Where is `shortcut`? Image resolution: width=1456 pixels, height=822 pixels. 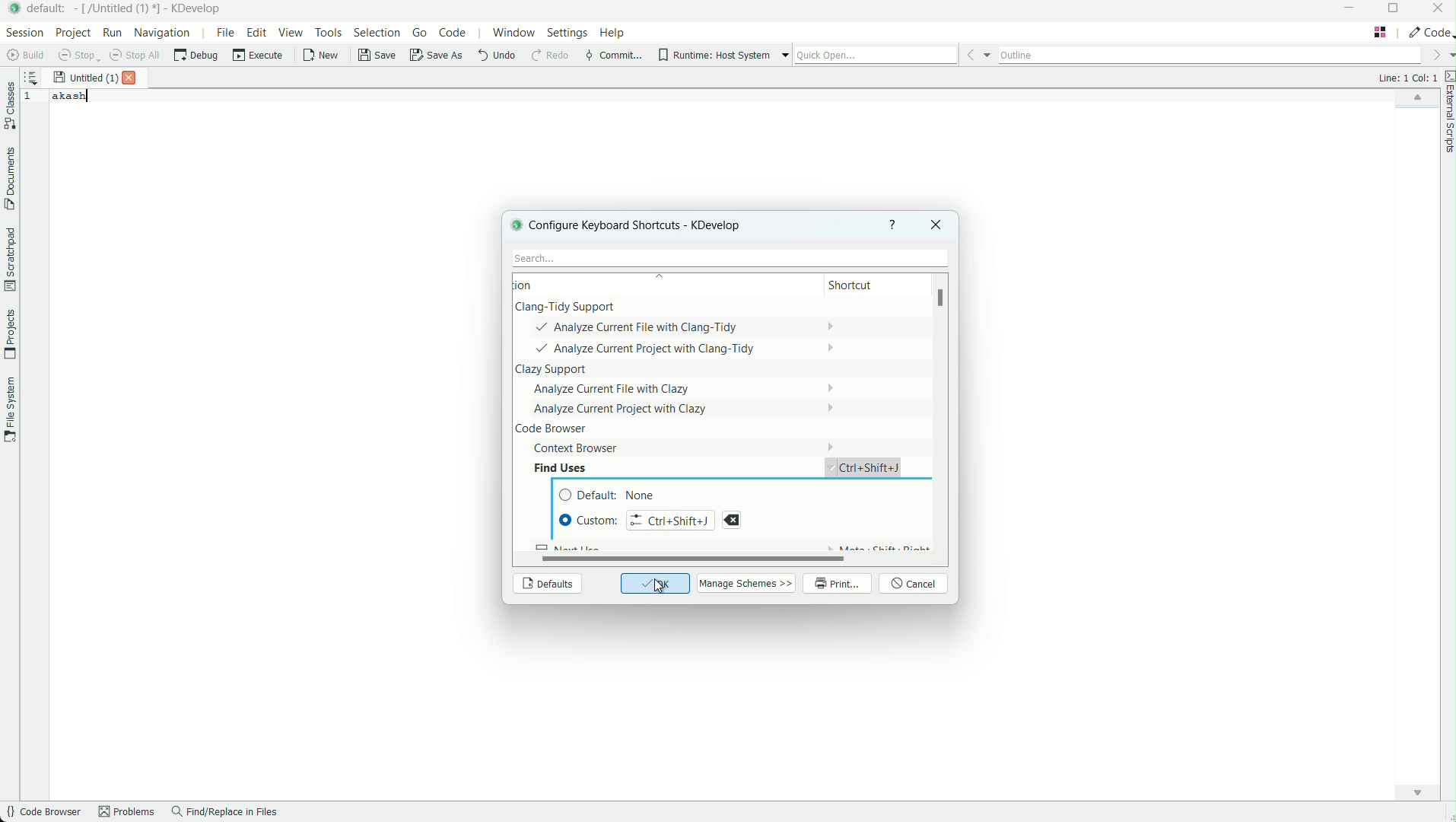 shortcut is located at coordinates (864, 286).